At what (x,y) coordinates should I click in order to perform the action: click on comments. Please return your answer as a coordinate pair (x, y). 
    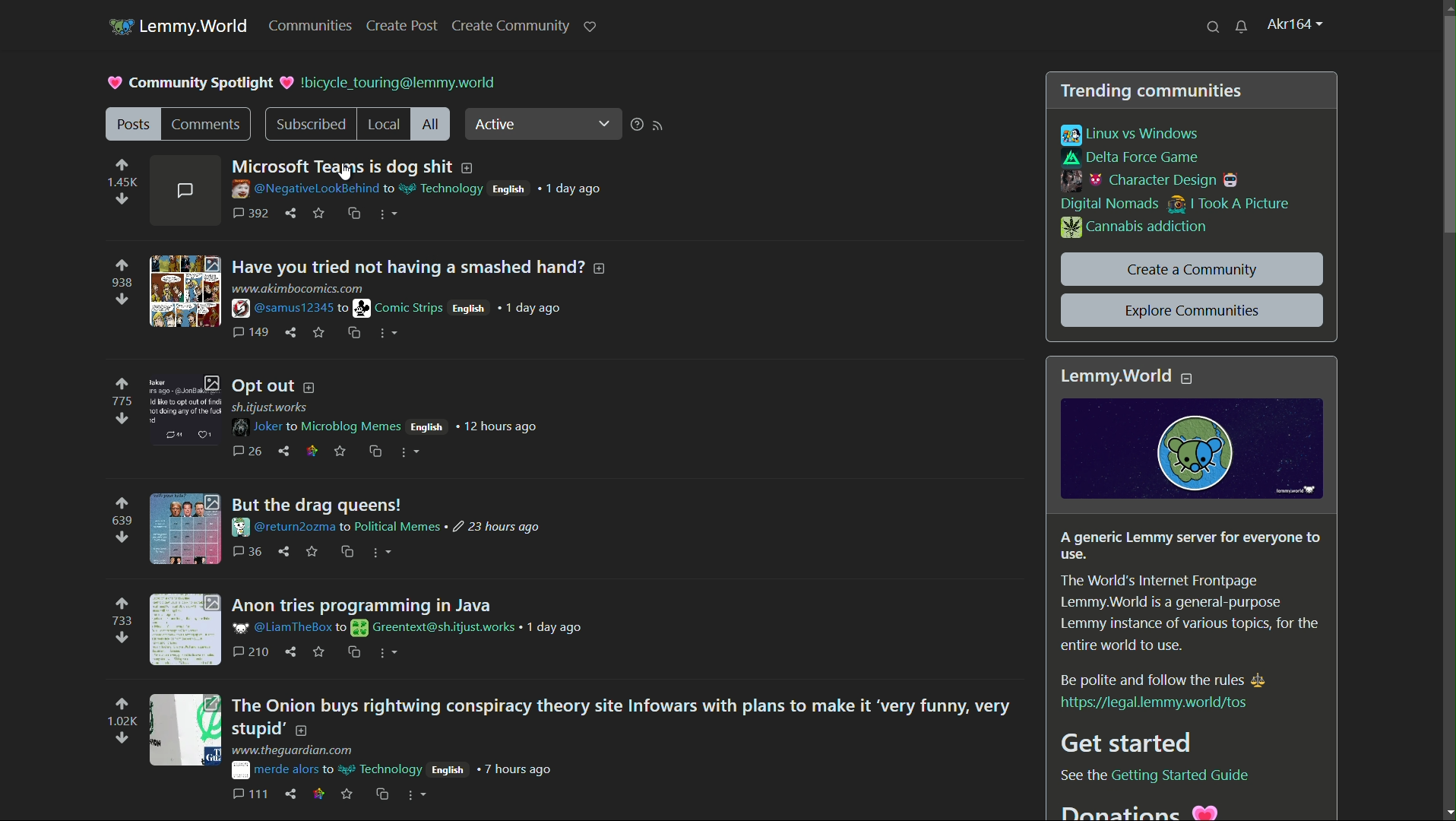
    Looking at the image, I should click on (248, 452).